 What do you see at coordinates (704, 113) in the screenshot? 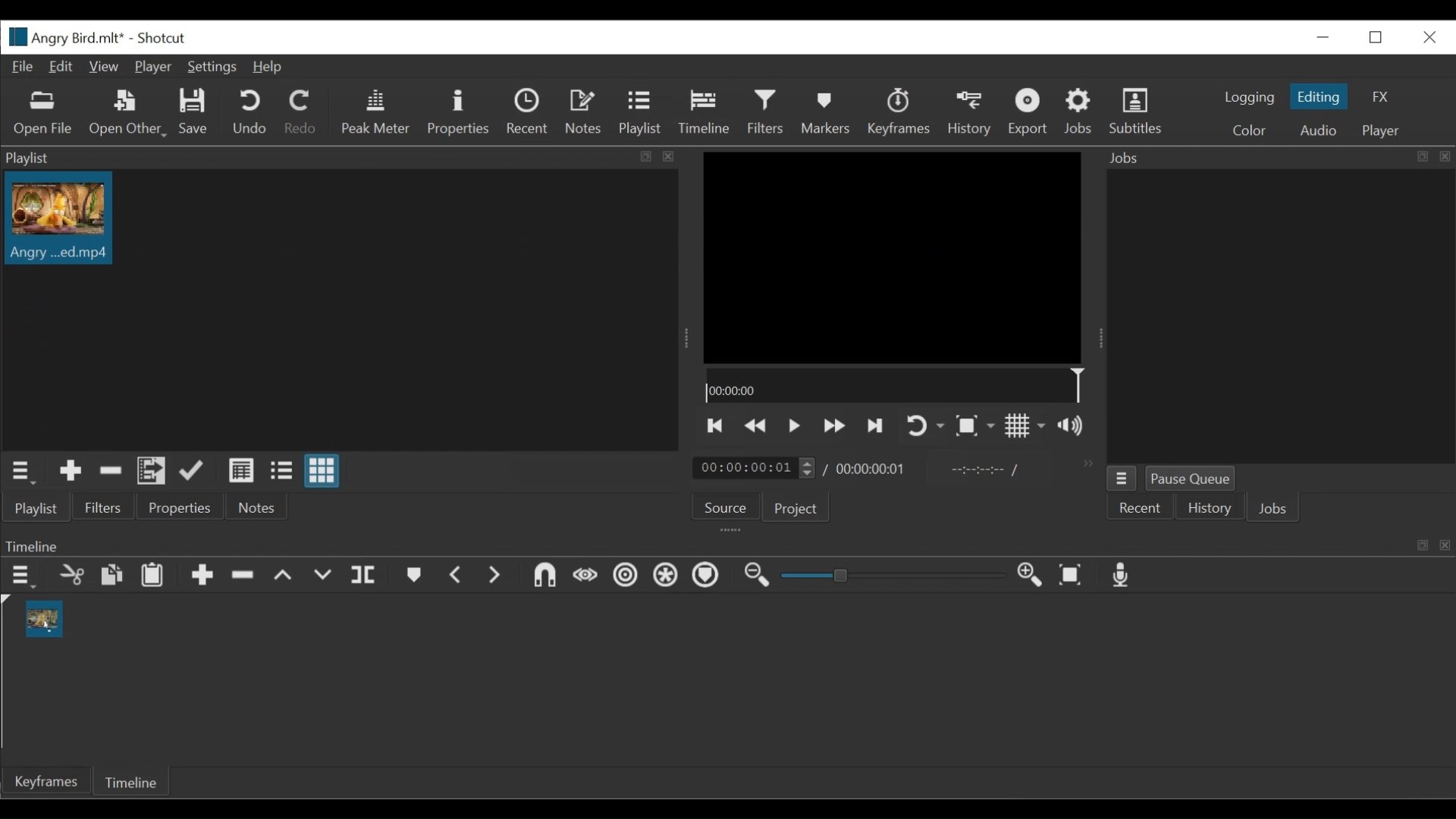
I see `Timeline` at bounding box center [704, 113].